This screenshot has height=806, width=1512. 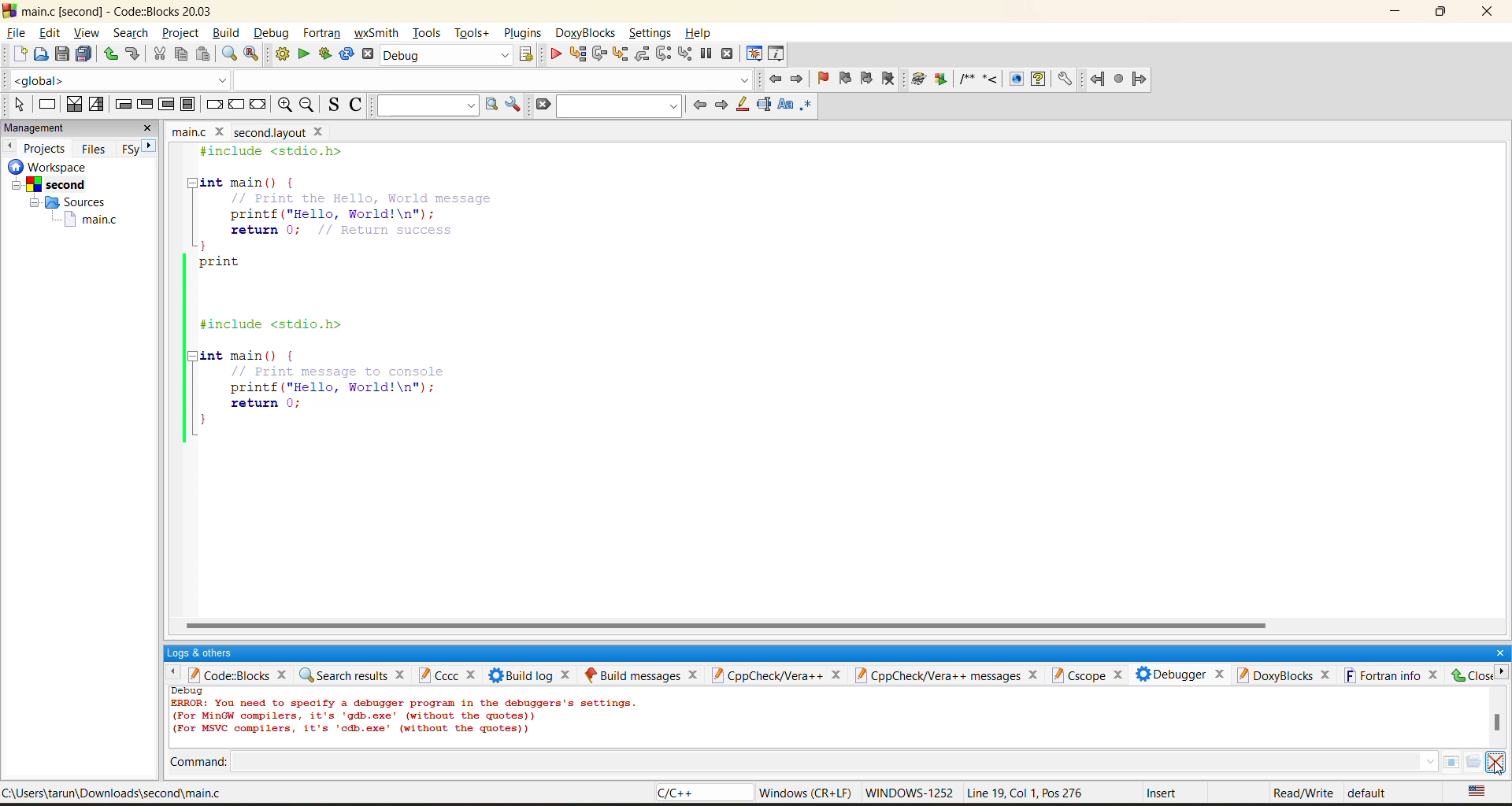 I want to click on tools+, so click(x=473, y=34).